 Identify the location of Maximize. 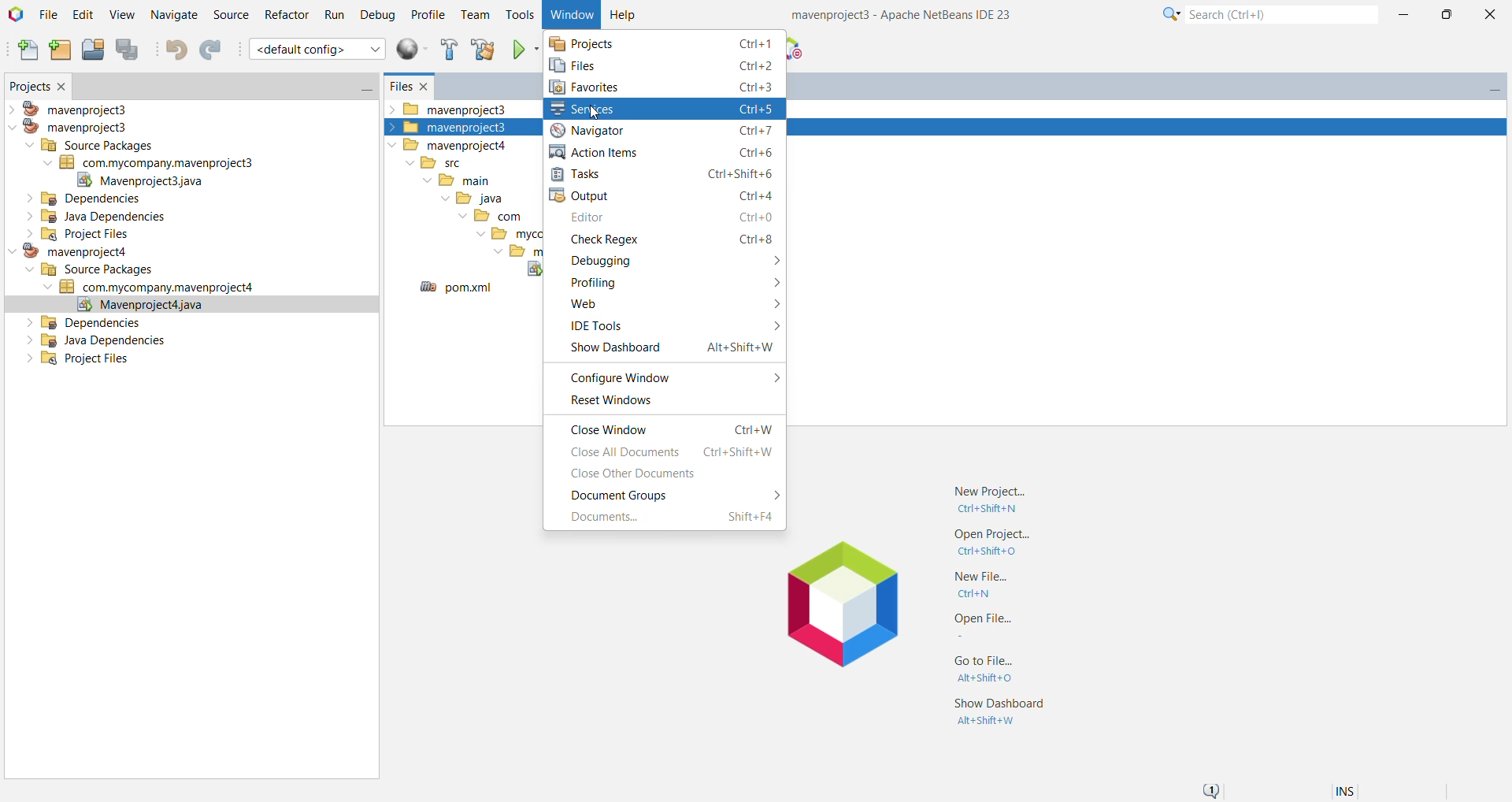
(1446, 15).